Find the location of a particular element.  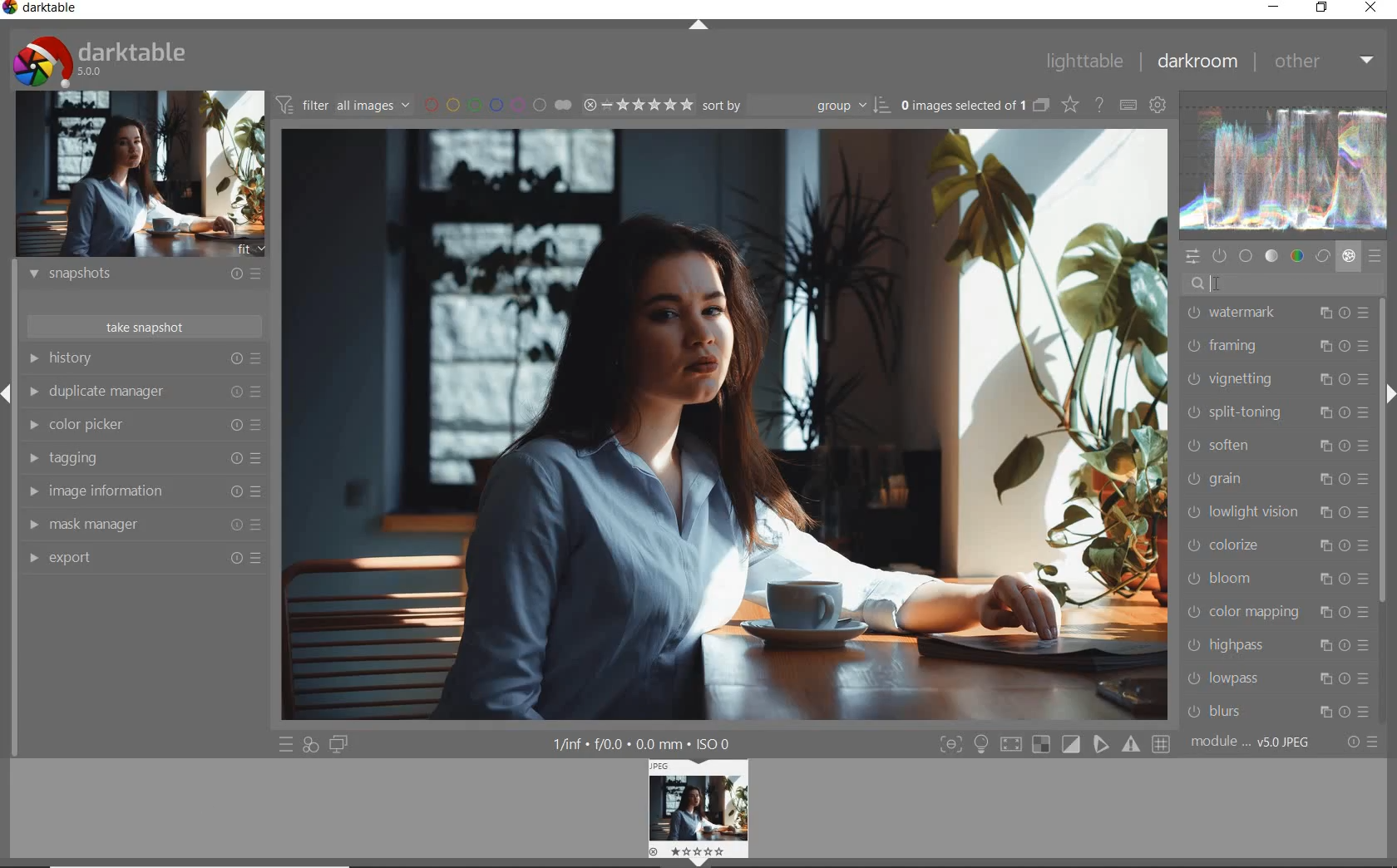

lowpass is located at coordinates (1278, 680).